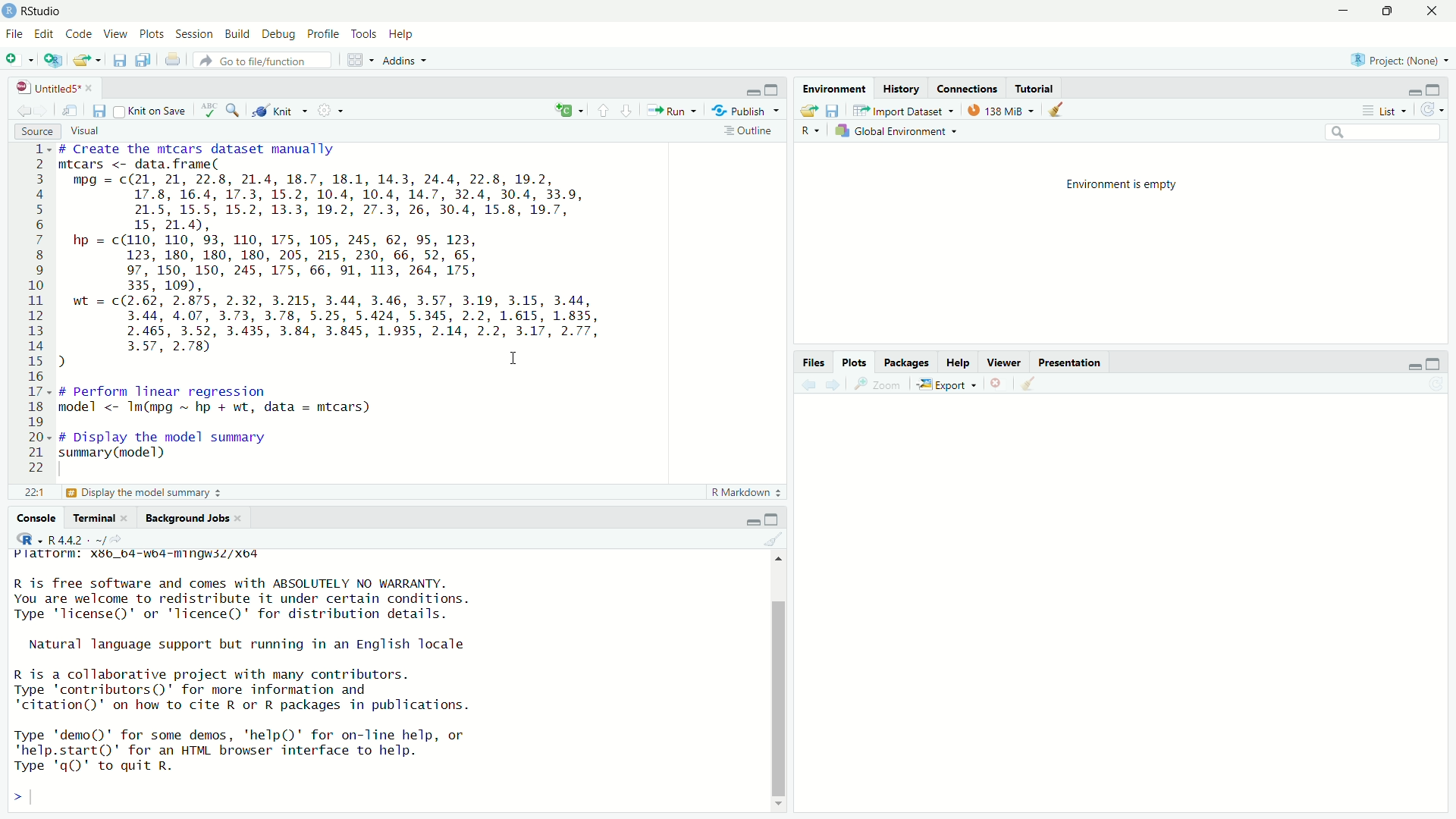 The width and height of the screenshot is (1456, 819). I want to click on minimize, so click(750, 93).